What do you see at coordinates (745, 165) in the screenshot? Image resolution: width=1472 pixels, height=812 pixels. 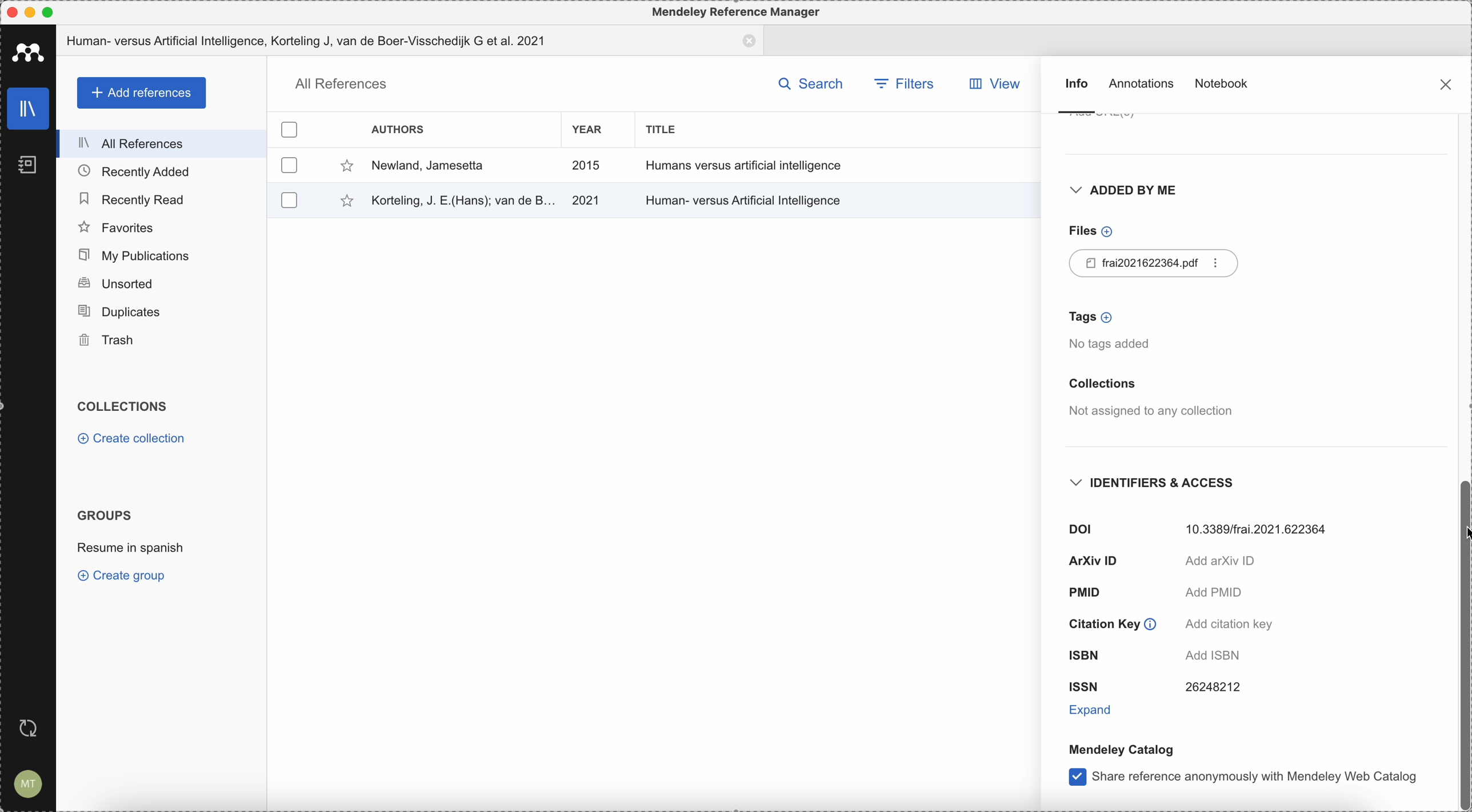 I see `Humans versus artificial intelligence` at bounding box center [745, 165].